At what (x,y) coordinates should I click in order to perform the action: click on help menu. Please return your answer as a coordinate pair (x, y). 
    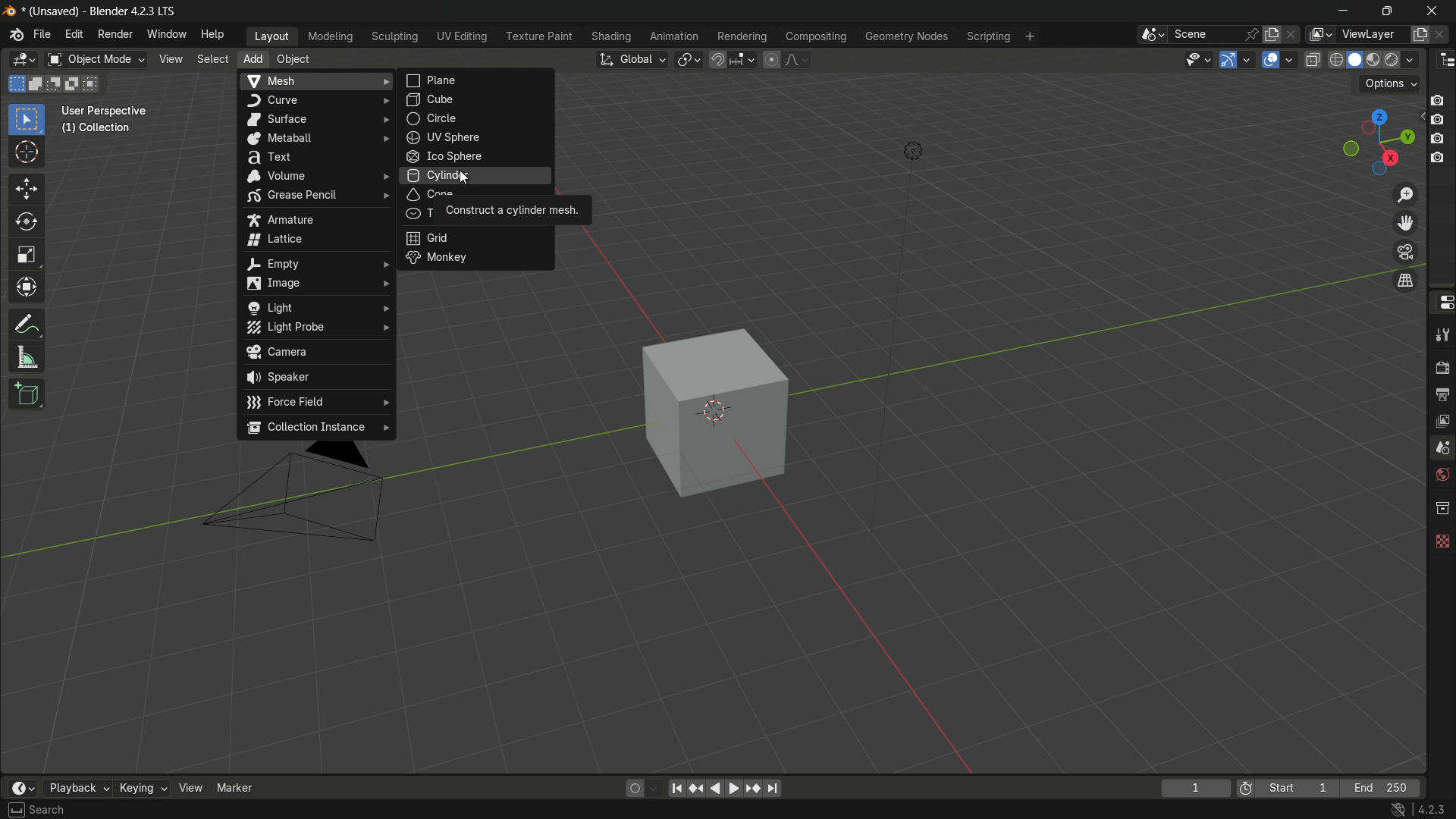
    Looking at the image, I should click on (214, 35).